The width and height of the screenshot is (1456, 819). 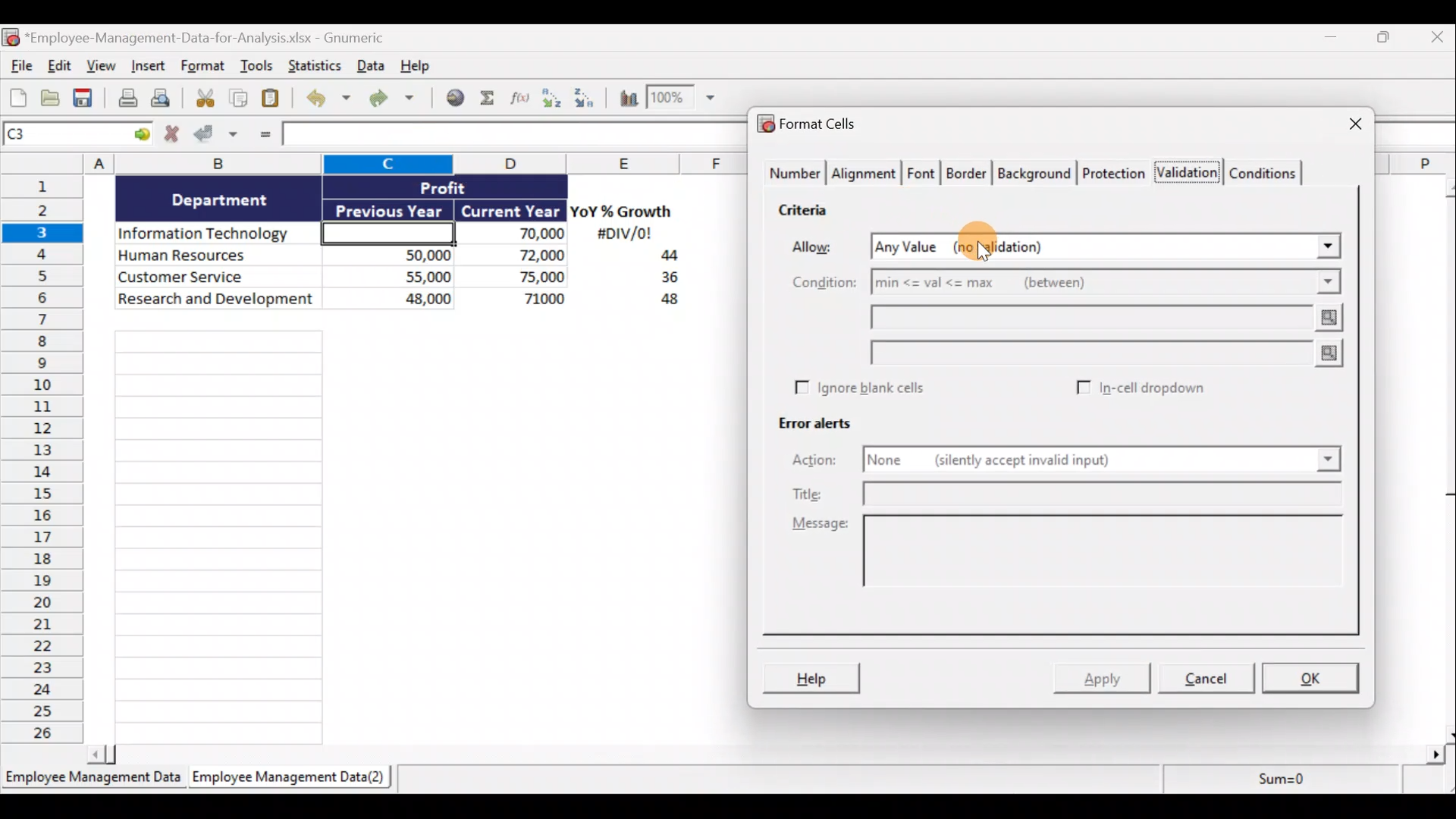 What do you see at coordinates (18, 97) in the screenshot?
I see `Create new workbook` at bounding box center [18, 97].